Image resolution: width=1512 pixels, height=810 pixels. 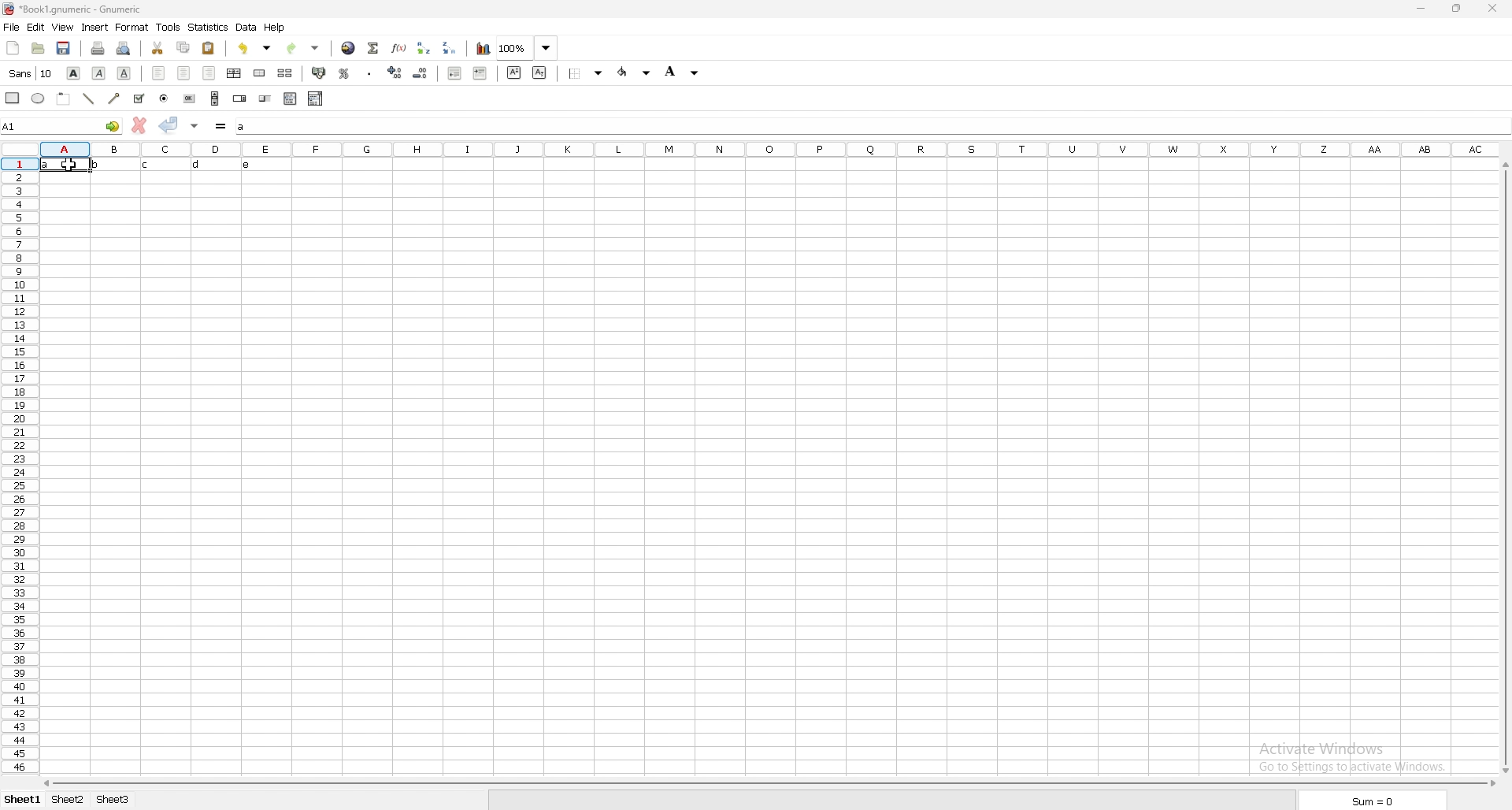 I want to click on sort ascending, so click(x=424, y=49).